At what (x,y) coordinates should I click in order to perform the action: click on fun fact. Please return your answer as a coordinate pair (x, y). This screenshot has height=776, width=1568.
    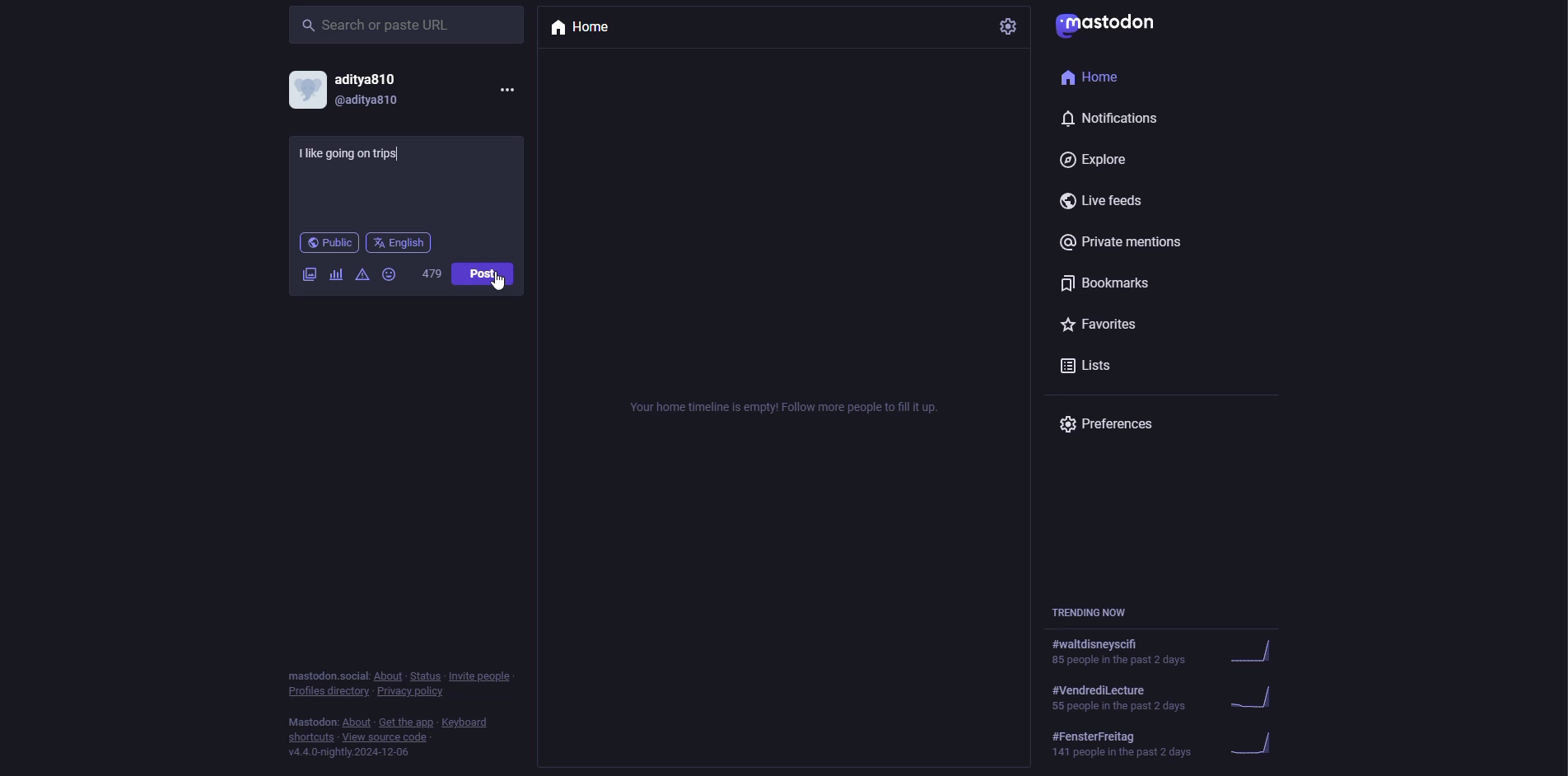
    Looking at the image, I should click on (379, 163).